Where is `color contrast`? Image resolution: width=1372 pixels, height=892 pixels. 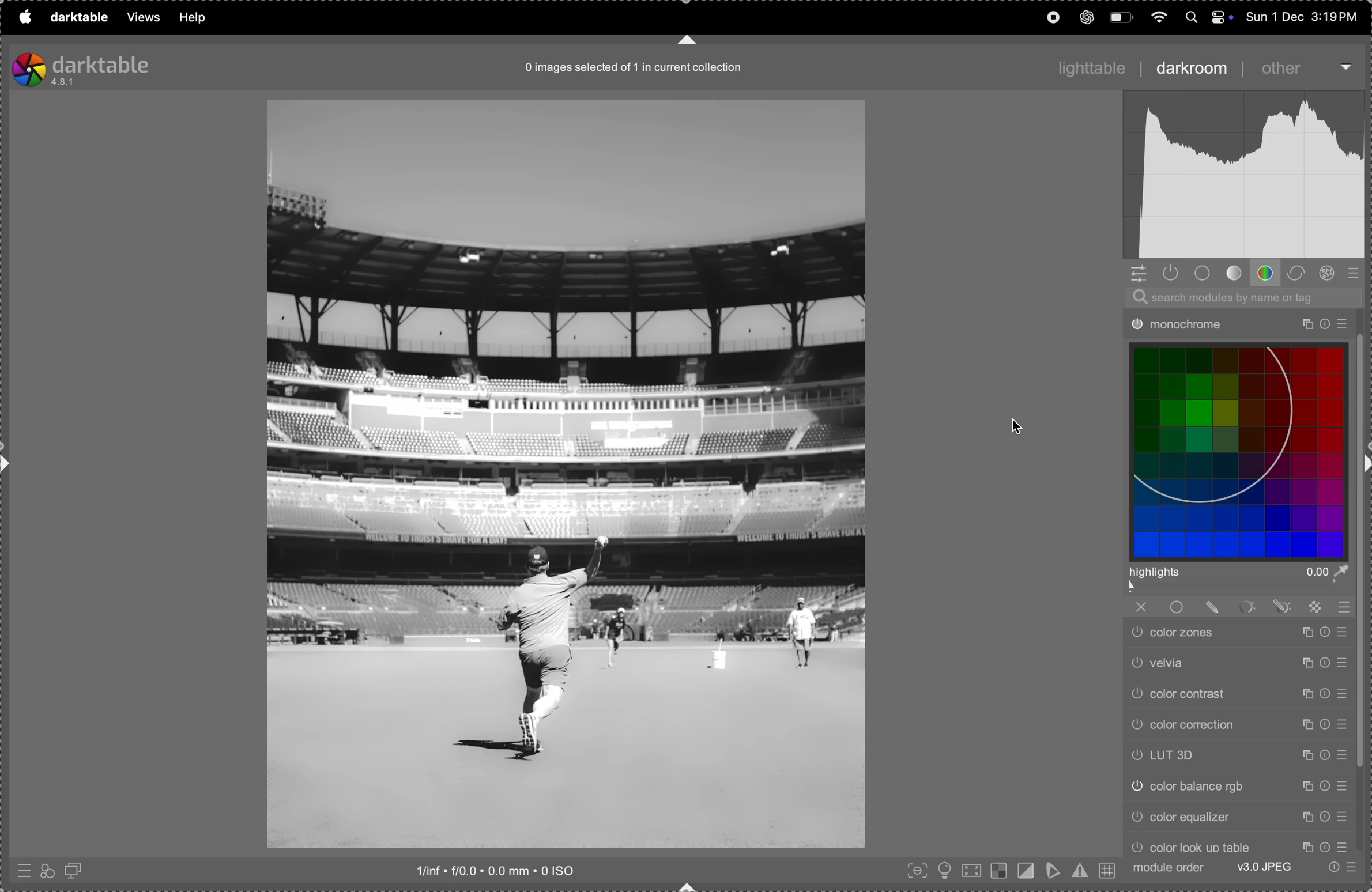
color contrast is located at coordinates (1237, 696).